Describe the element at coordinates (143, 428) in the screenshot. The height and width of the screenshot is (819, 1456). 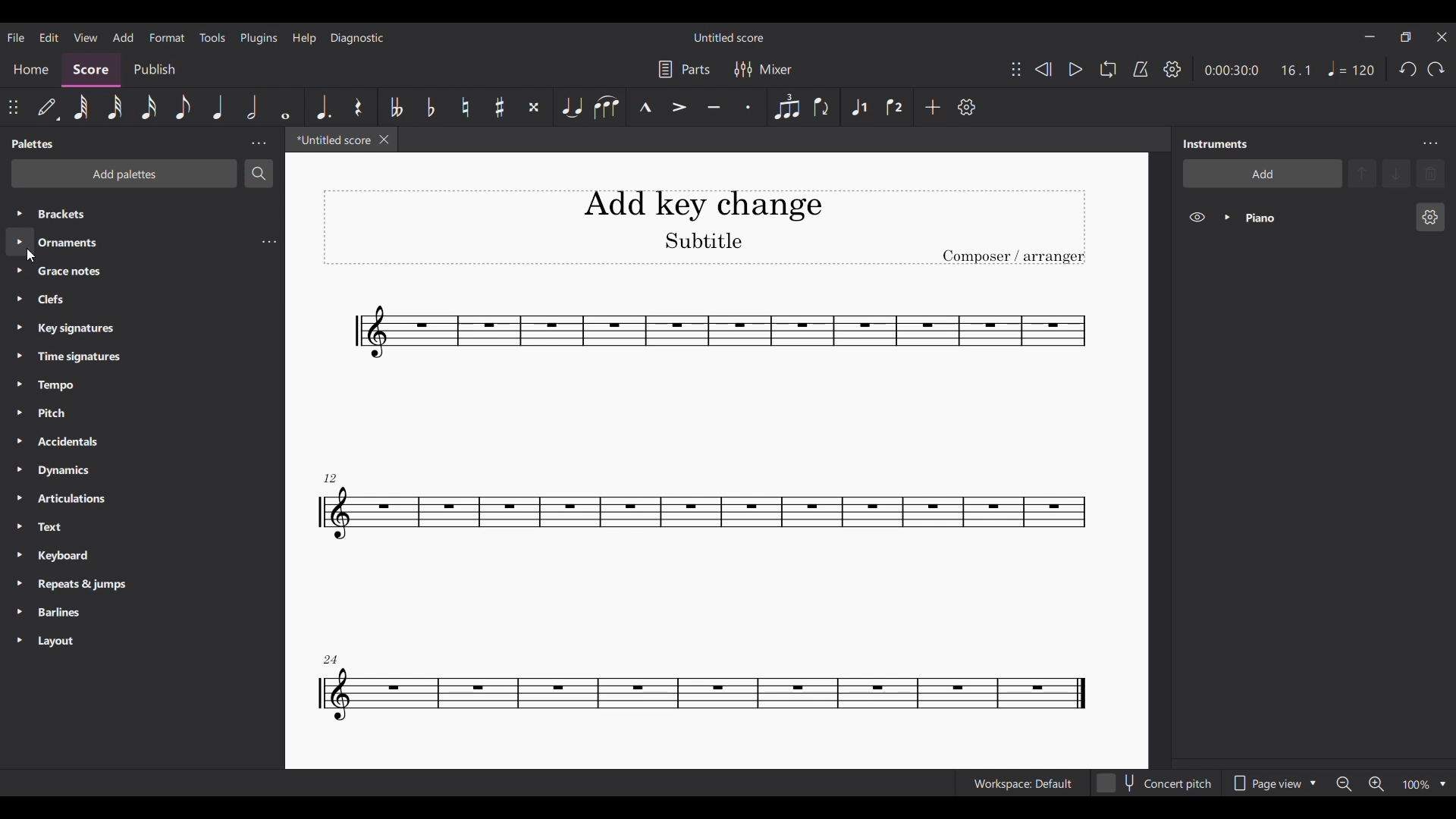
I see `Other palette options` at that location.